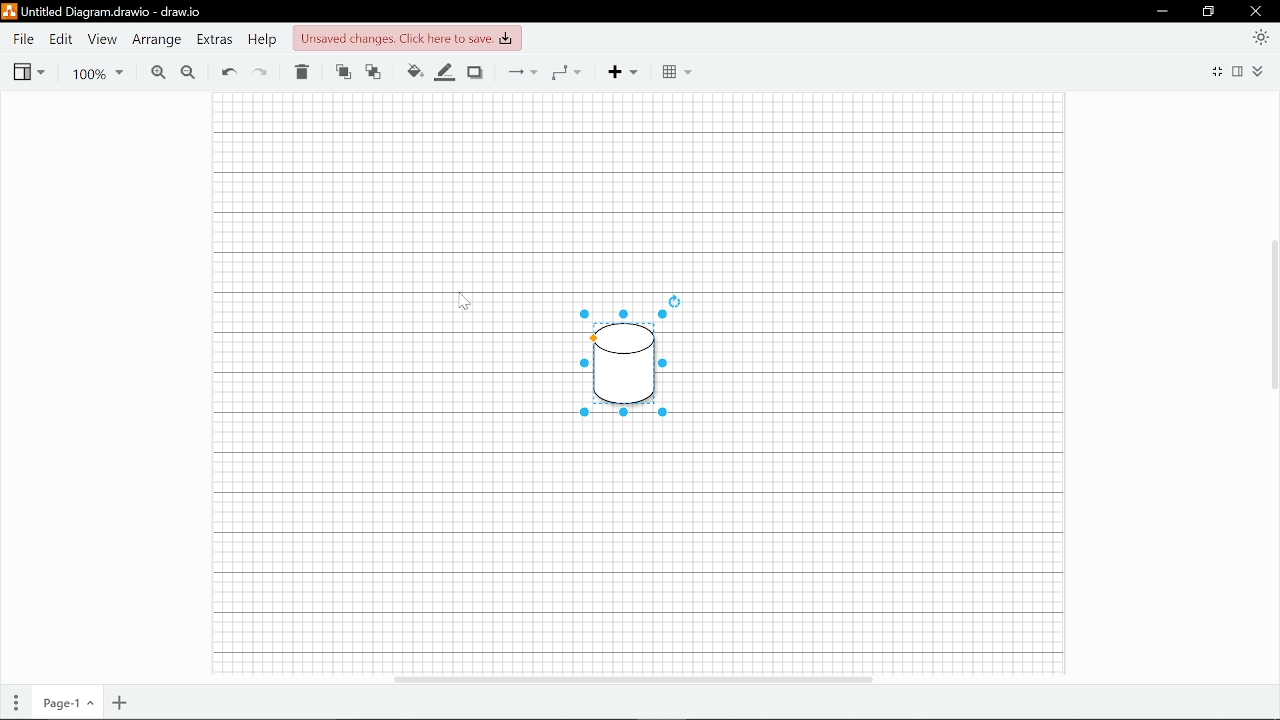 The height and width of the screenshot is (720, 1280). What do you see at coordinates (262, 73) in the screenshot?
I see `Redo` at bounding box center [262, 73].